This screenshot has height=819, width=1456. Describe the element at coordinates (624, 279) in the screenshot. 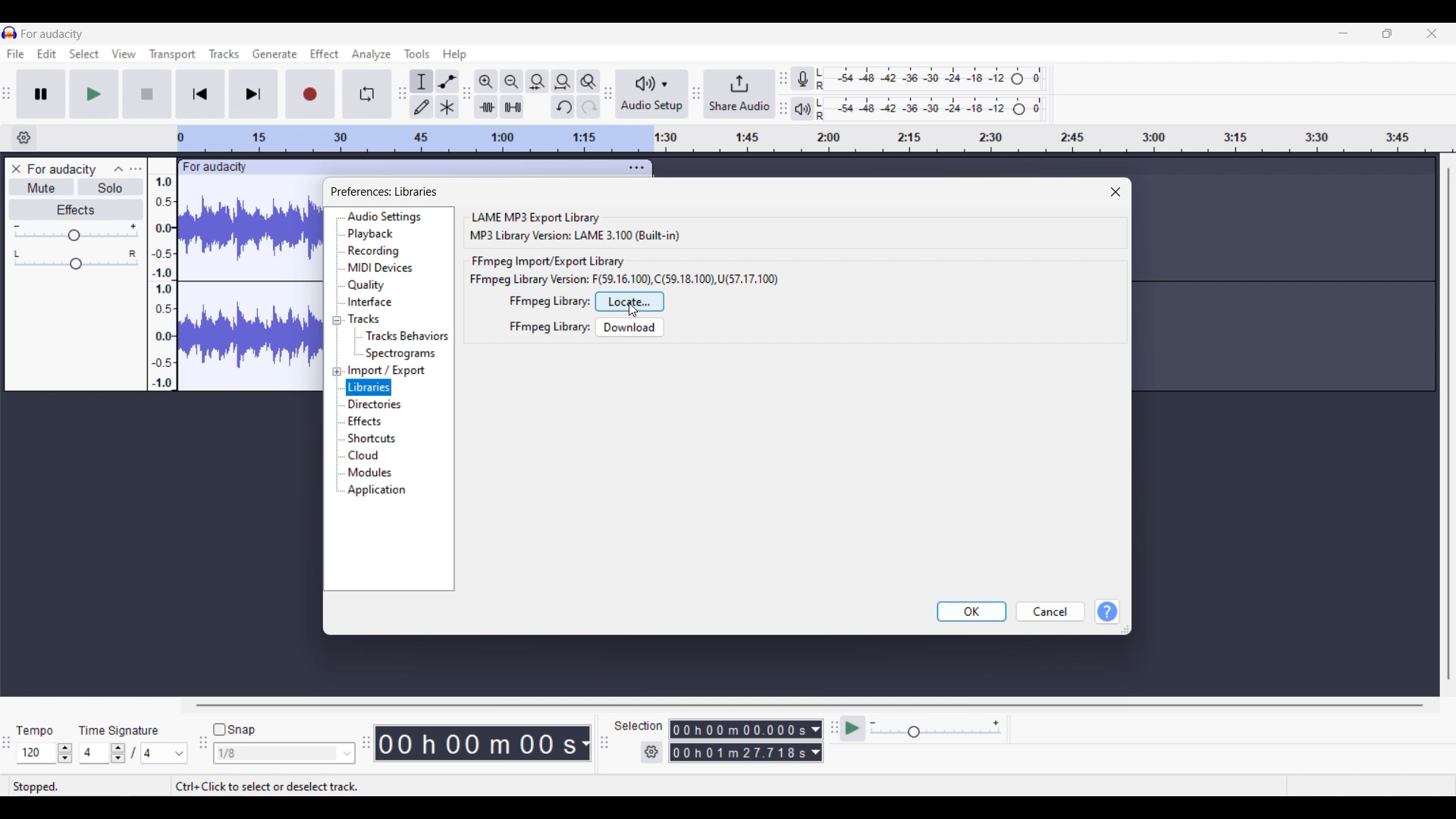

I see `FFmpeg library version: F(59.16.100), C(59.18.100), U(57.17.100)` at that location.